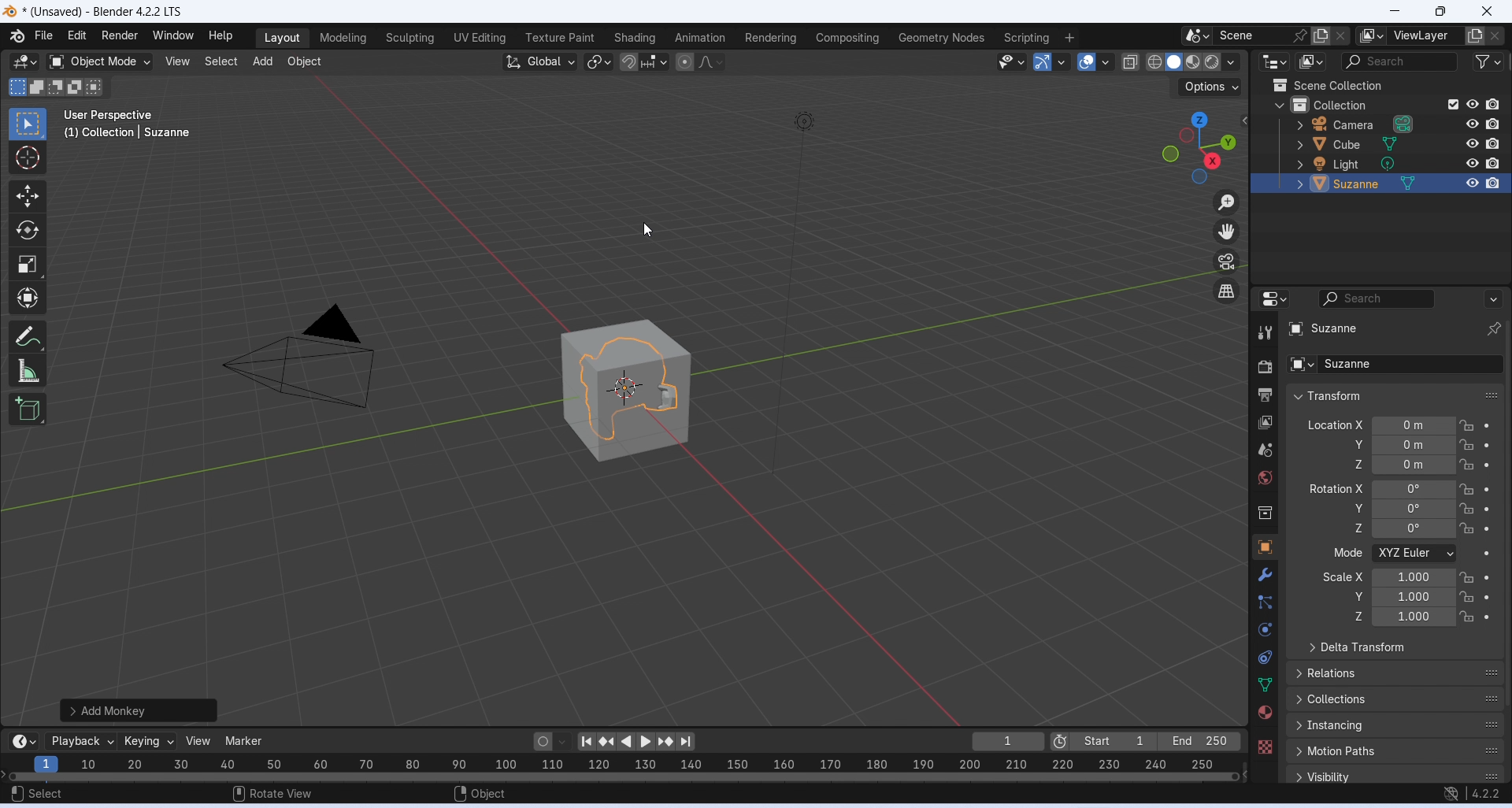 The width and height of the screenshot is (1512, 808). Describe the element at coordinates (28, 409) in the screenshot. I see `add cube` at that location.